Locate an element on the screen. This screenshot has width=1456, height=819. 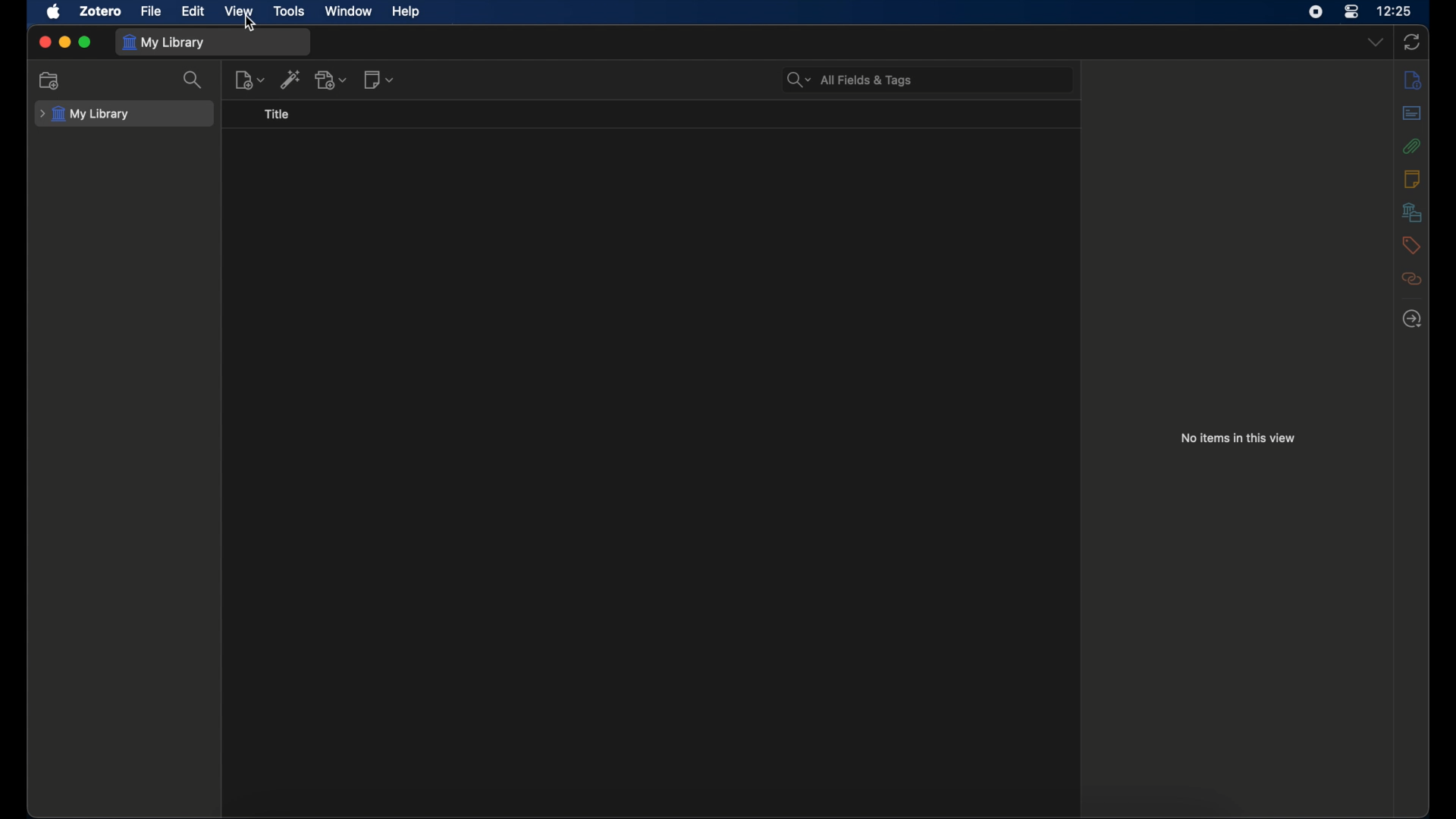
new item is located at coordinates (250, 80).